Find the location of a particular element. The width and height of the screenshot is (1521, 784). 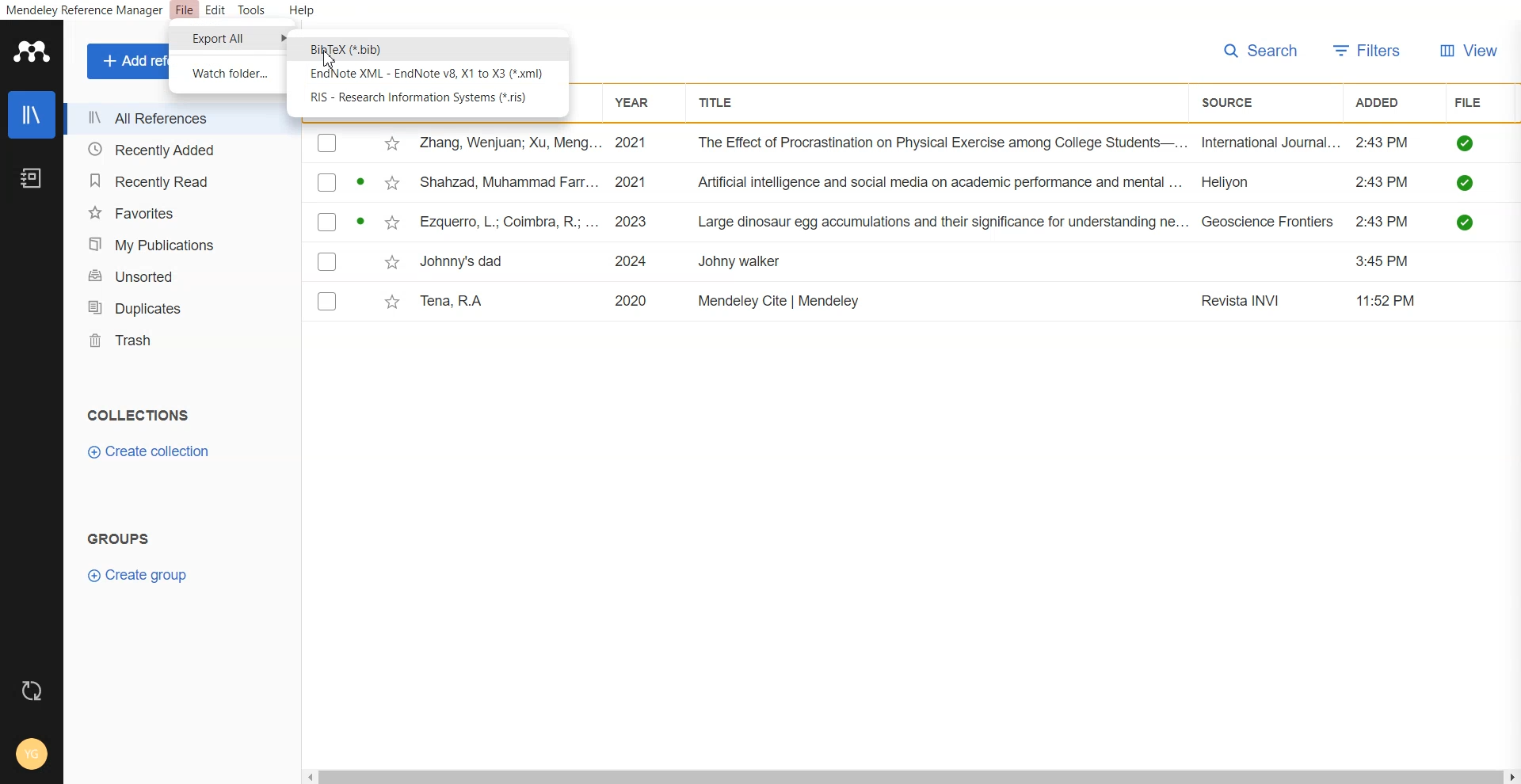

Create Collection is located at coordinates (151, 451).